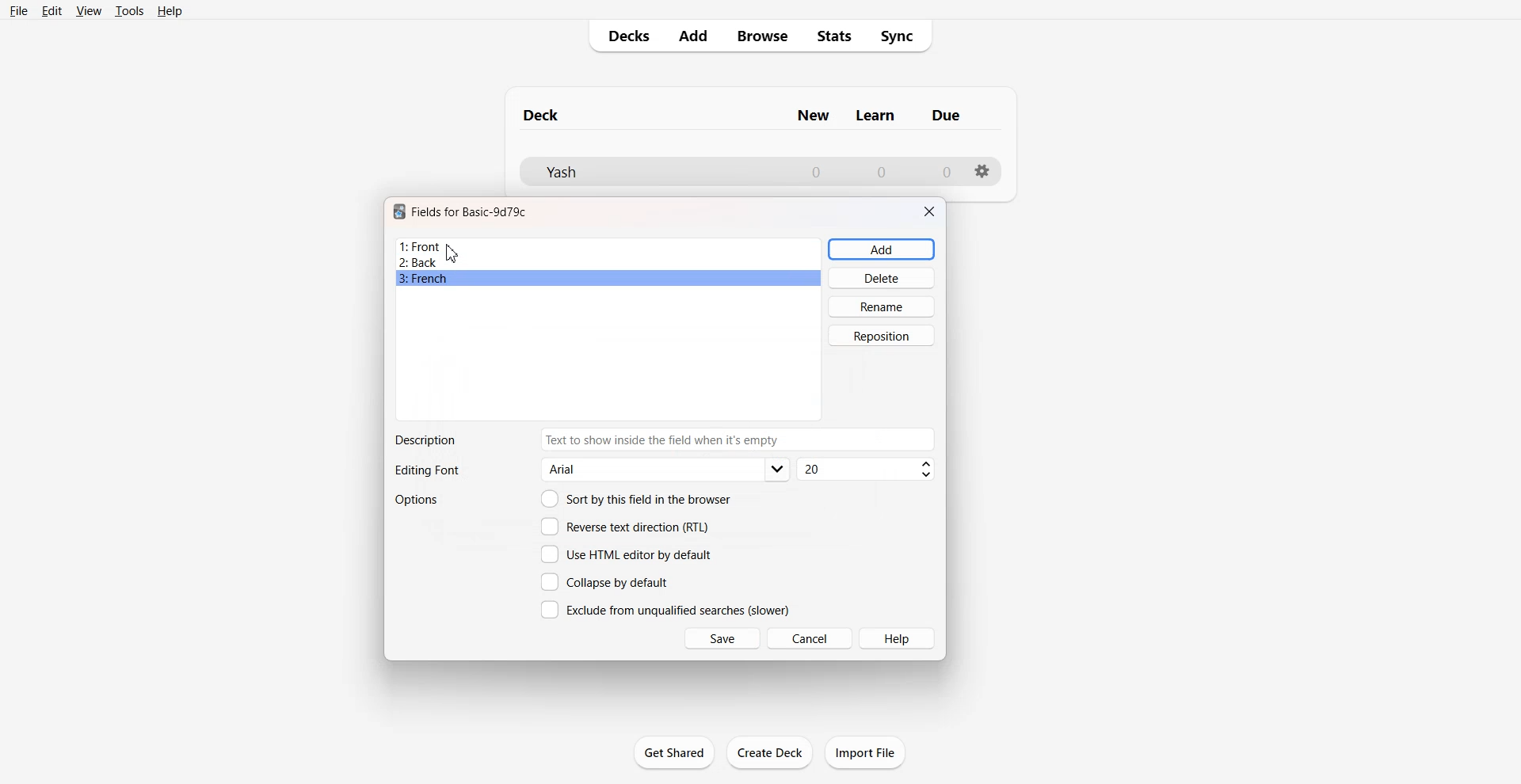 This screenshot has width=1521, height=784. Describe the element at coordinates (608, 279) in the screenshot. I see `French` at that location.